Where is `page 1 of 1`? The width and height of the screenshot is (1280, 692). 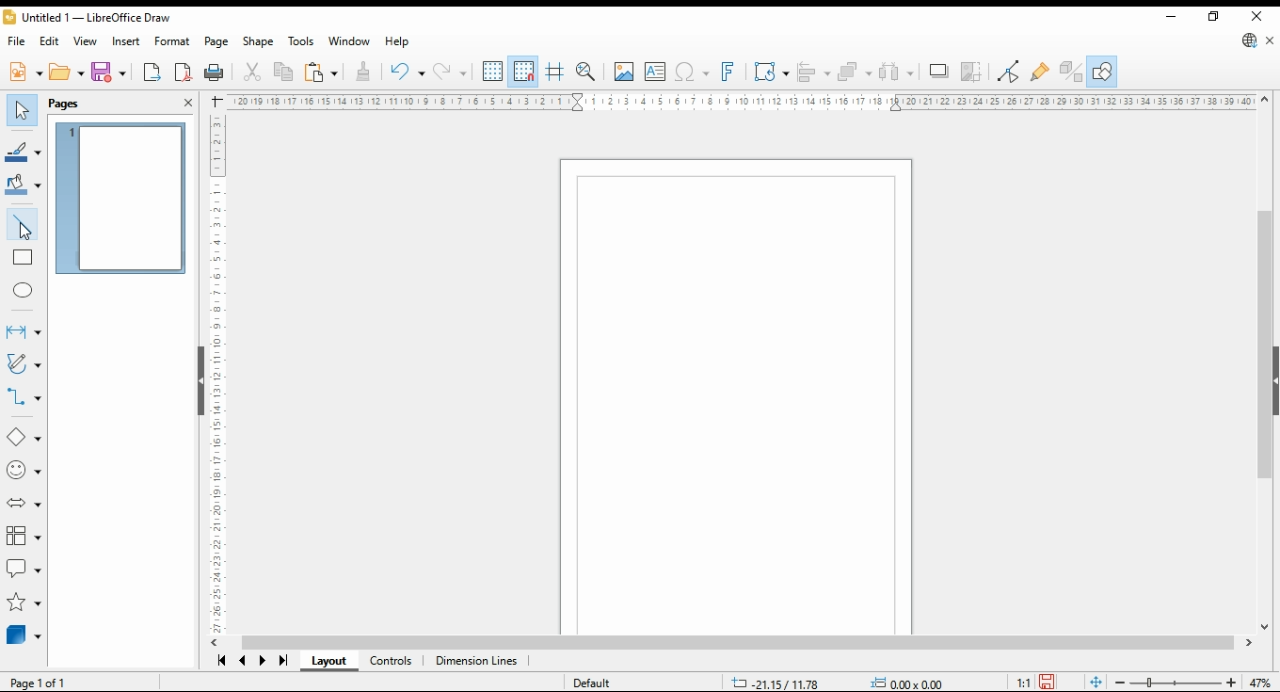 page 1 of 1 is located at coordinates (38, 681).